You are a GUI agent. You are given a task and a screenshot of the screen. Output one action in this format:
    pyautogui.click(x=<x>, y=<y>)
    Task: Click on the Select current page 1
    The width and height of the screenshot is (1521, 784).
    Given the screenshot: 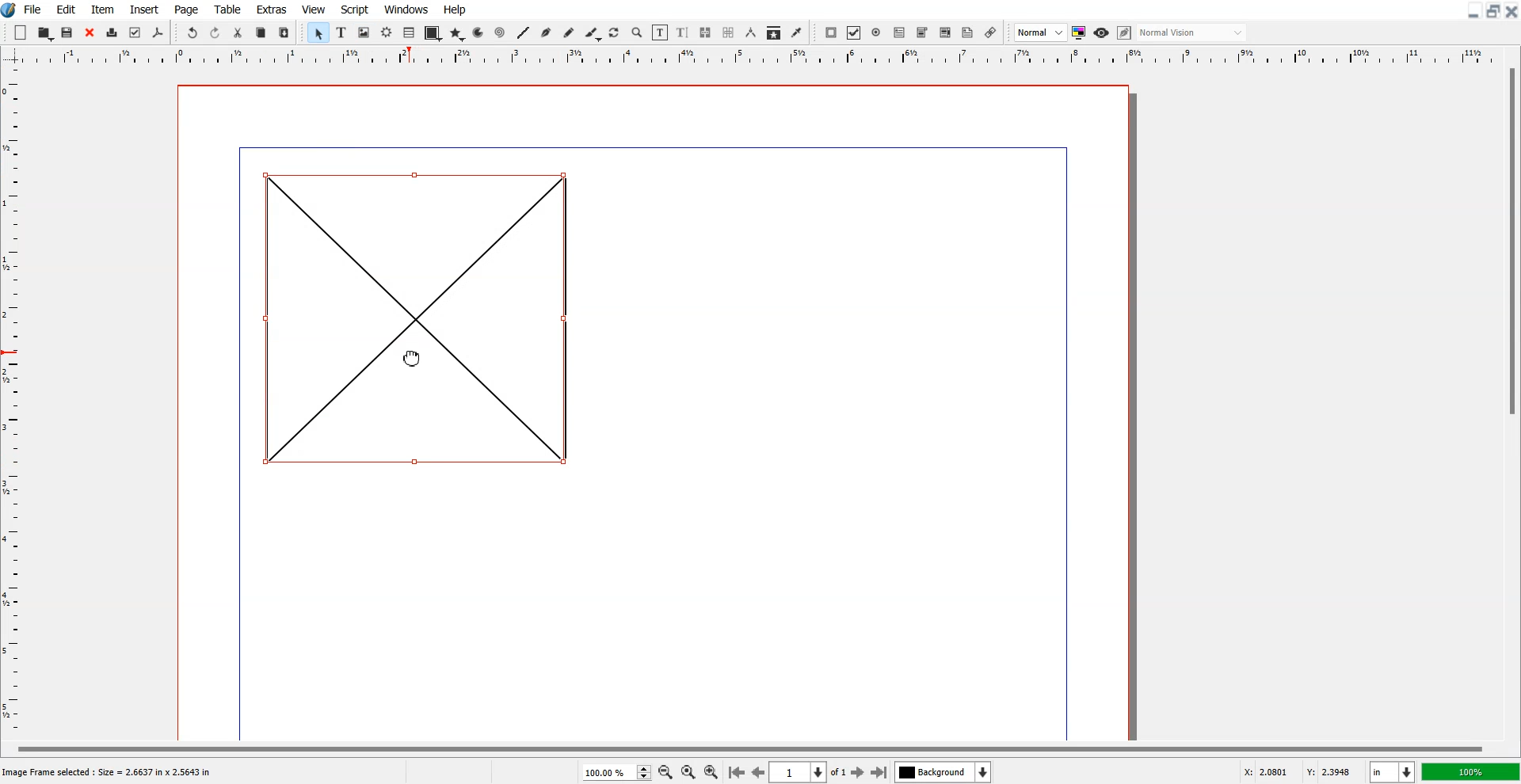 What is the action you would take?
    pyautogui.click(x=810, y=772)
    